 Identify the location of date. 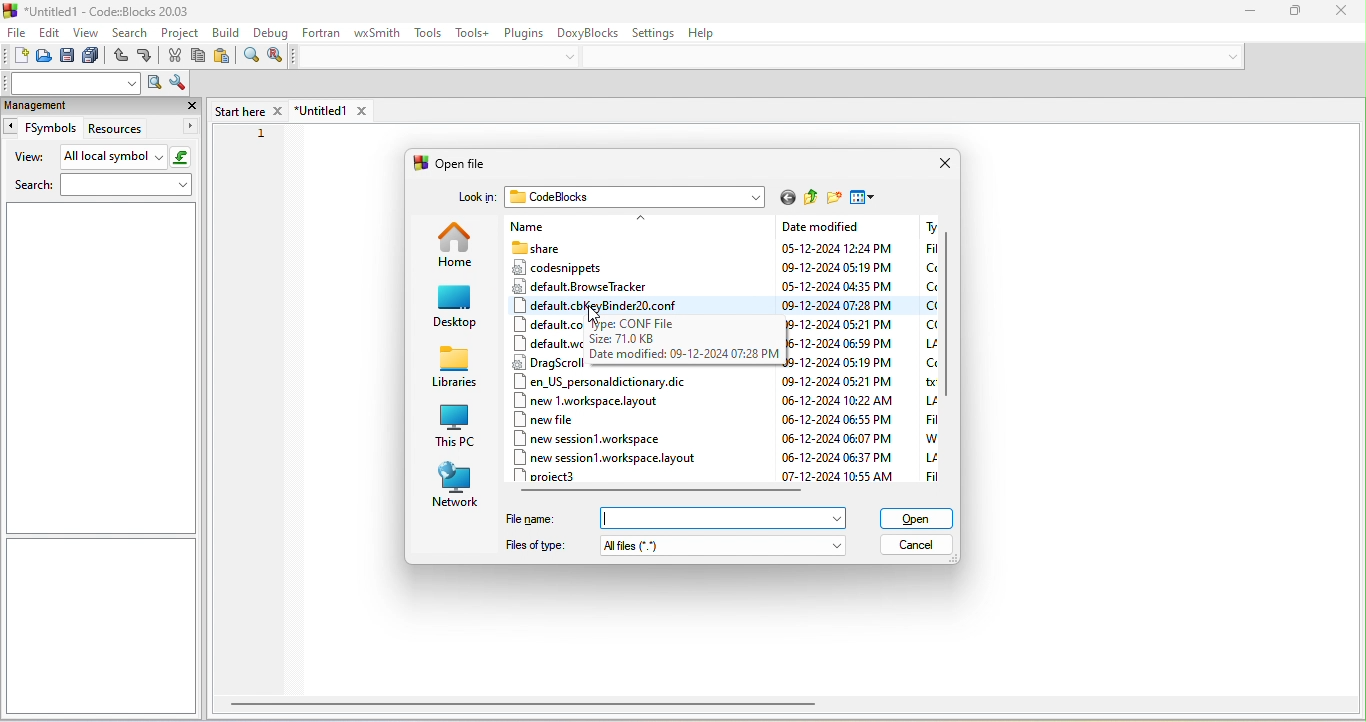
(832, 456).